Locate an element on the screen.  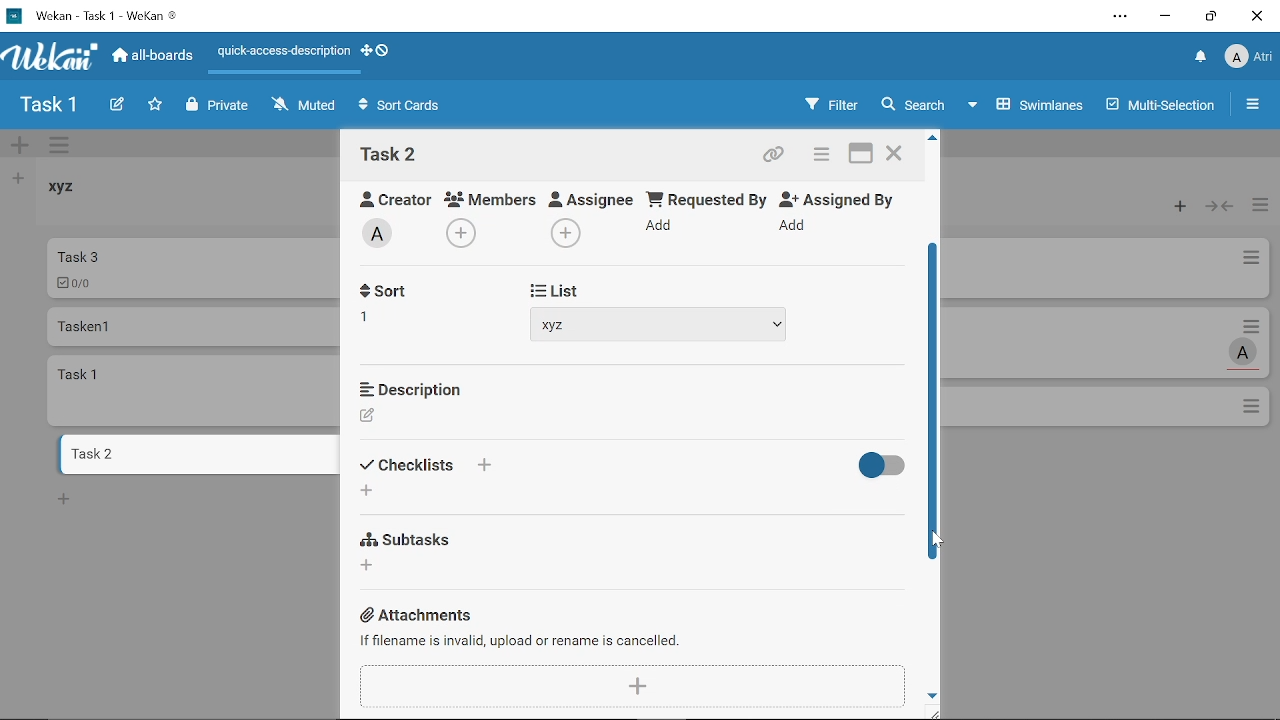
Card actions is located at coordinates (1250, 261).